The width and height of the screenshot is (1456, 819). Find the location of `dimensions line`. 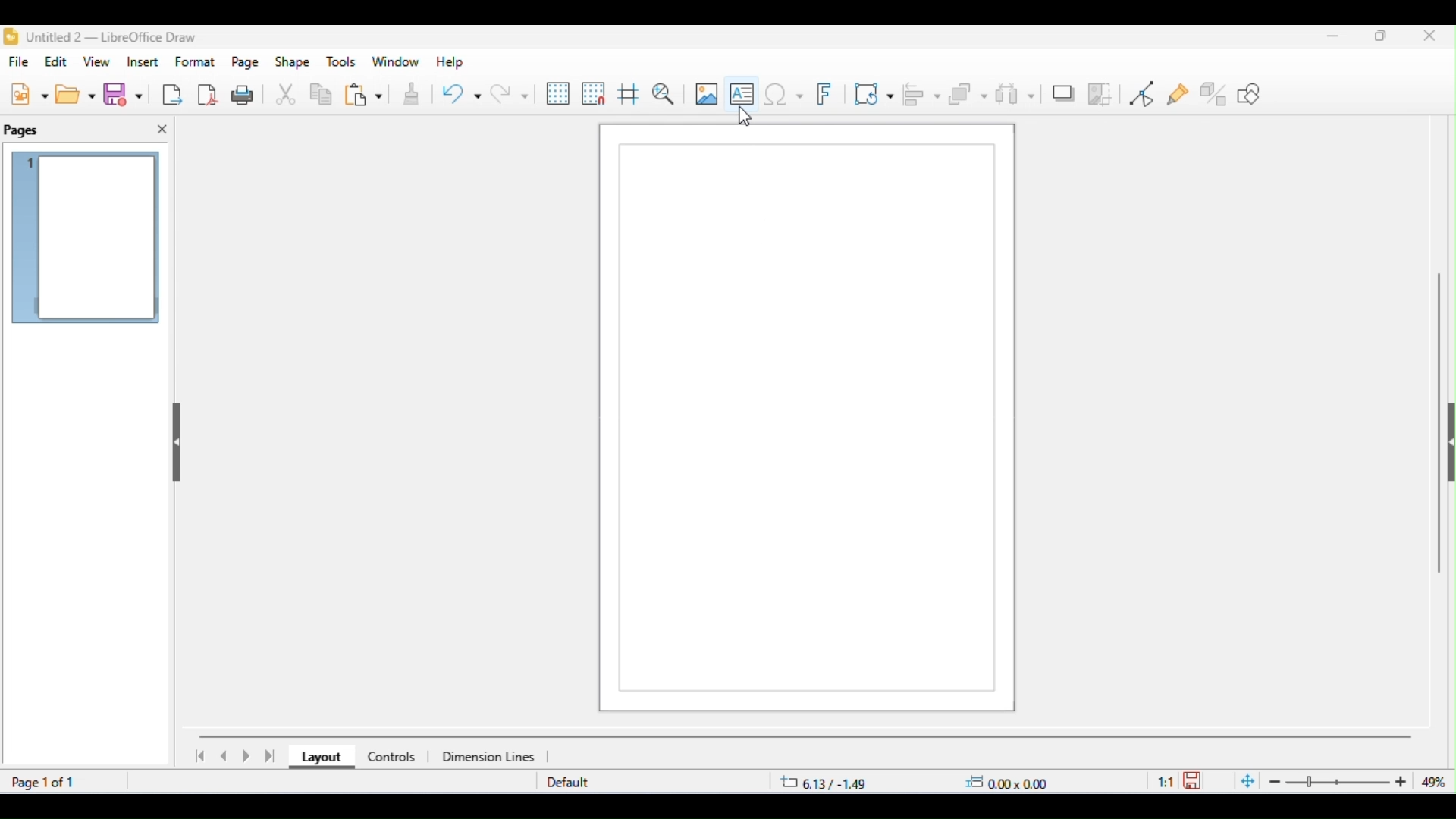

dimensions line is located at coordinates (491, 756).